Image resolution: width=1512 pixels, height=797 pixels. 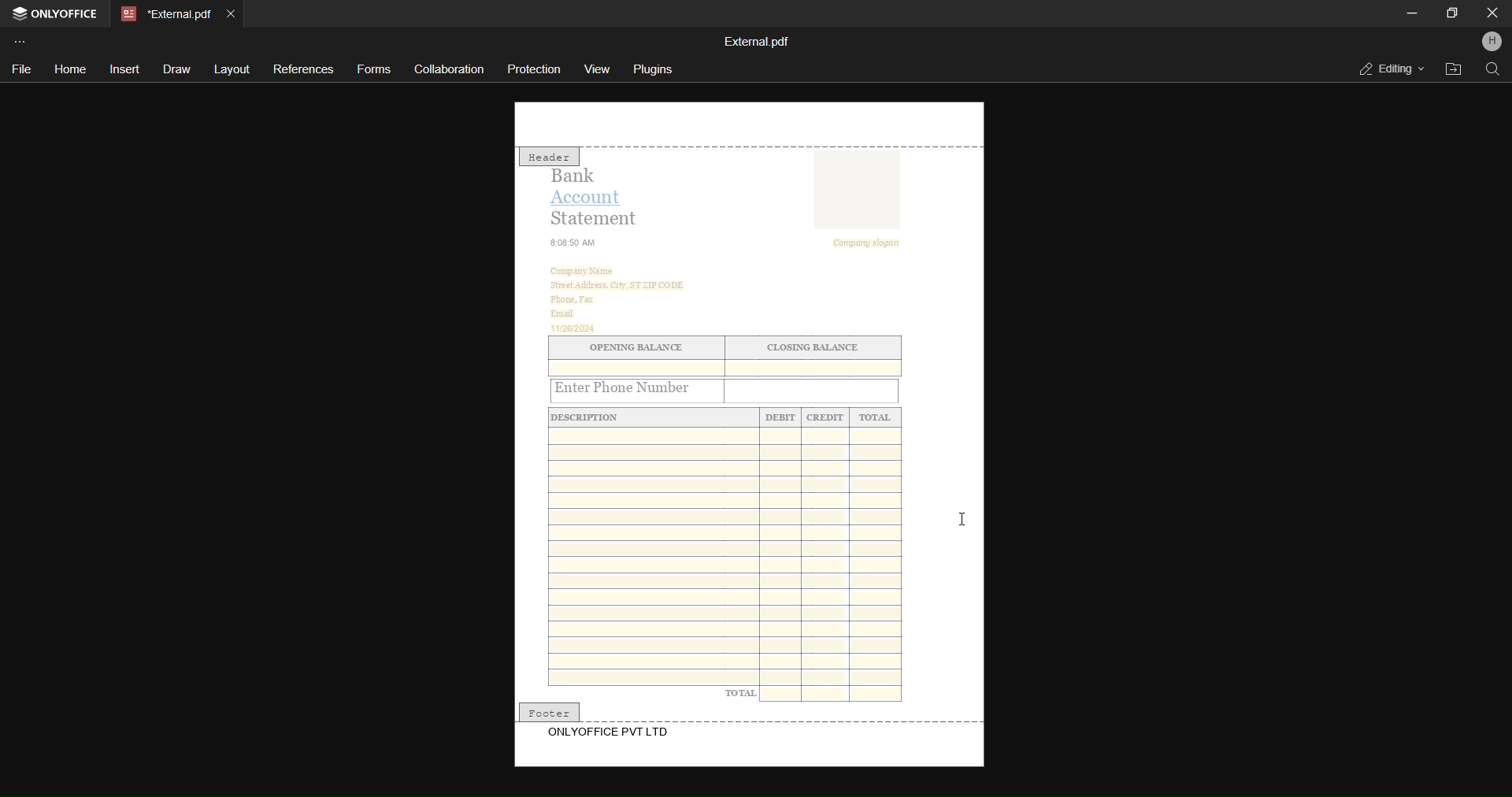 What do you see at coordinates (24, 40) in the screenshot?
I see `customize toolbar` at bounding box center [24, 40].